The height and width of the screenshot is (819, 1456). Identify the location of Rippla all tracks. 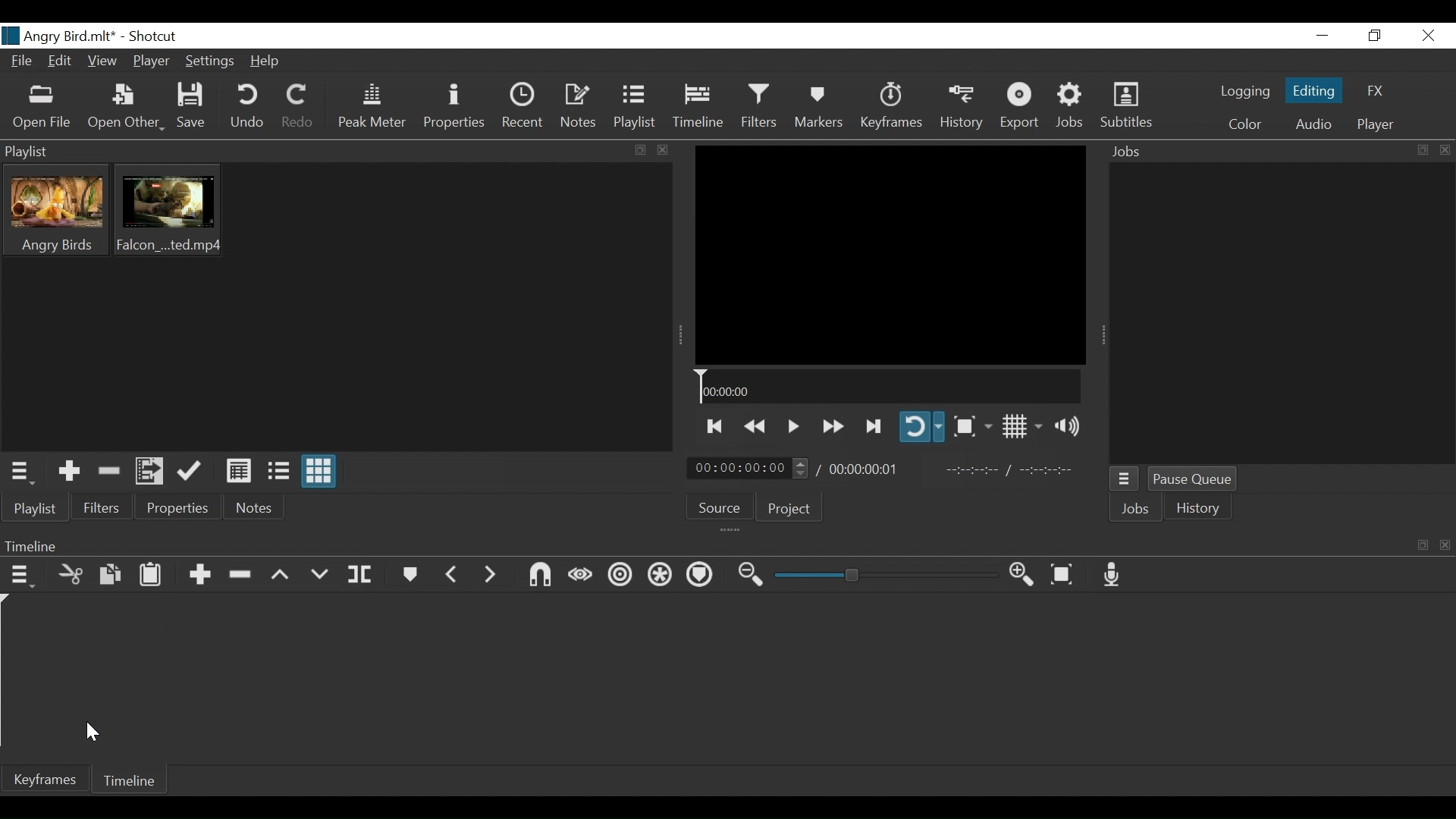
(661, 576).